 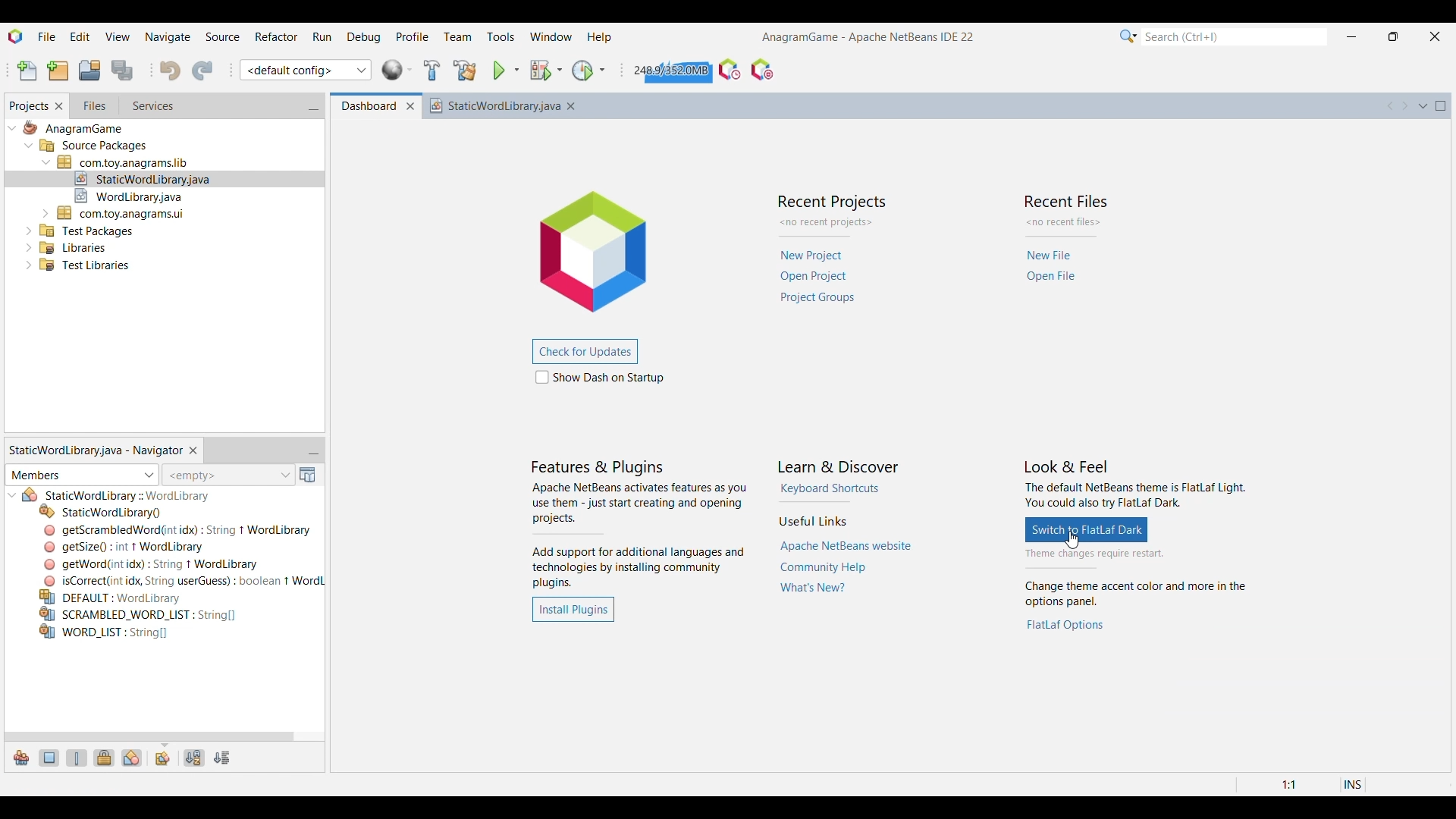 What do you see at coordinates (59, 106) in the screenshot?
I see `Close Projects` at bounding box center [59, 106].